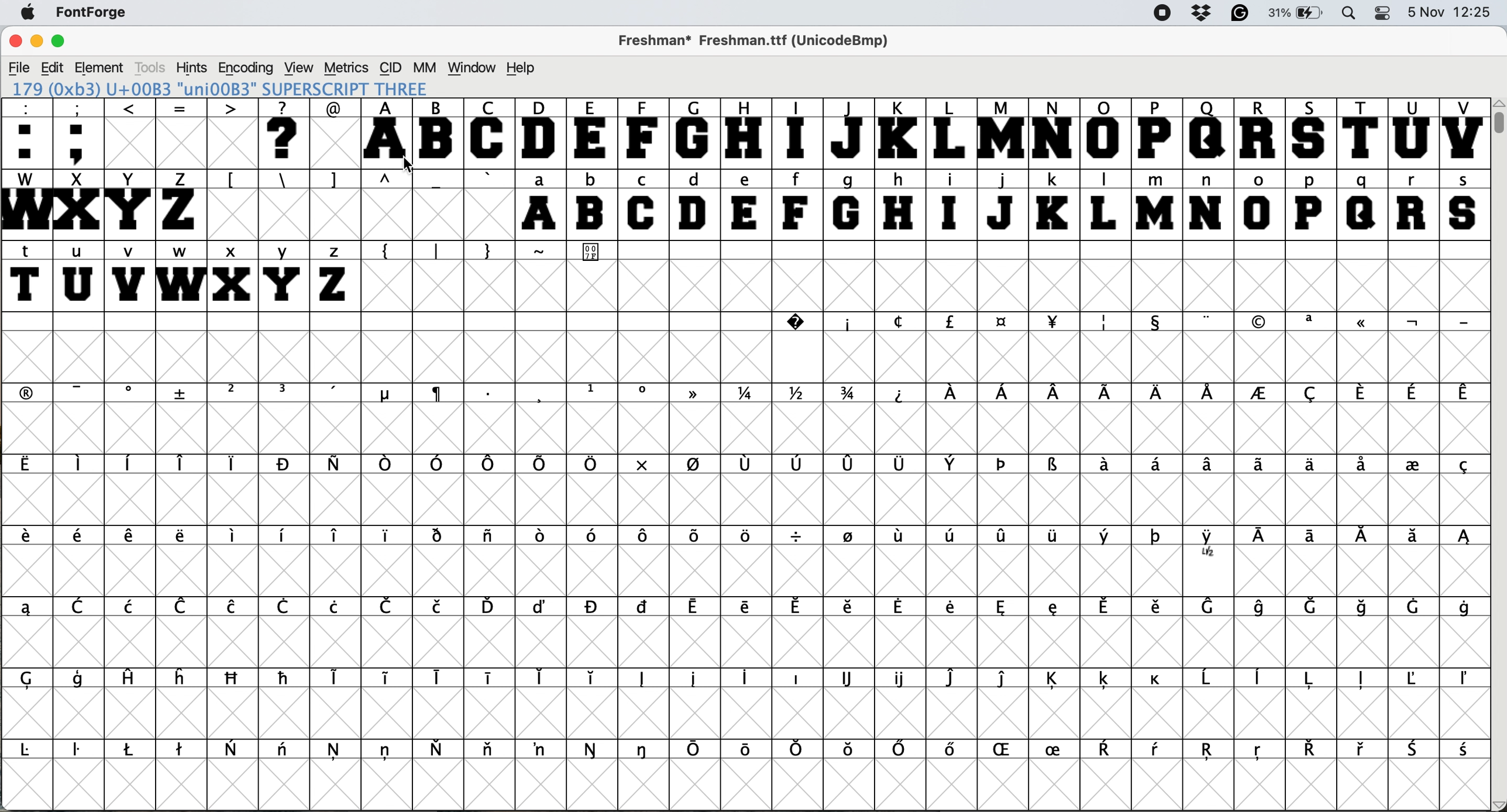 The height and width of the screenshot is (812, 1507). What do you see at coordinates (1412, 322) in the screenshot?
I see `symbol` at bounding box center [1412, 322].